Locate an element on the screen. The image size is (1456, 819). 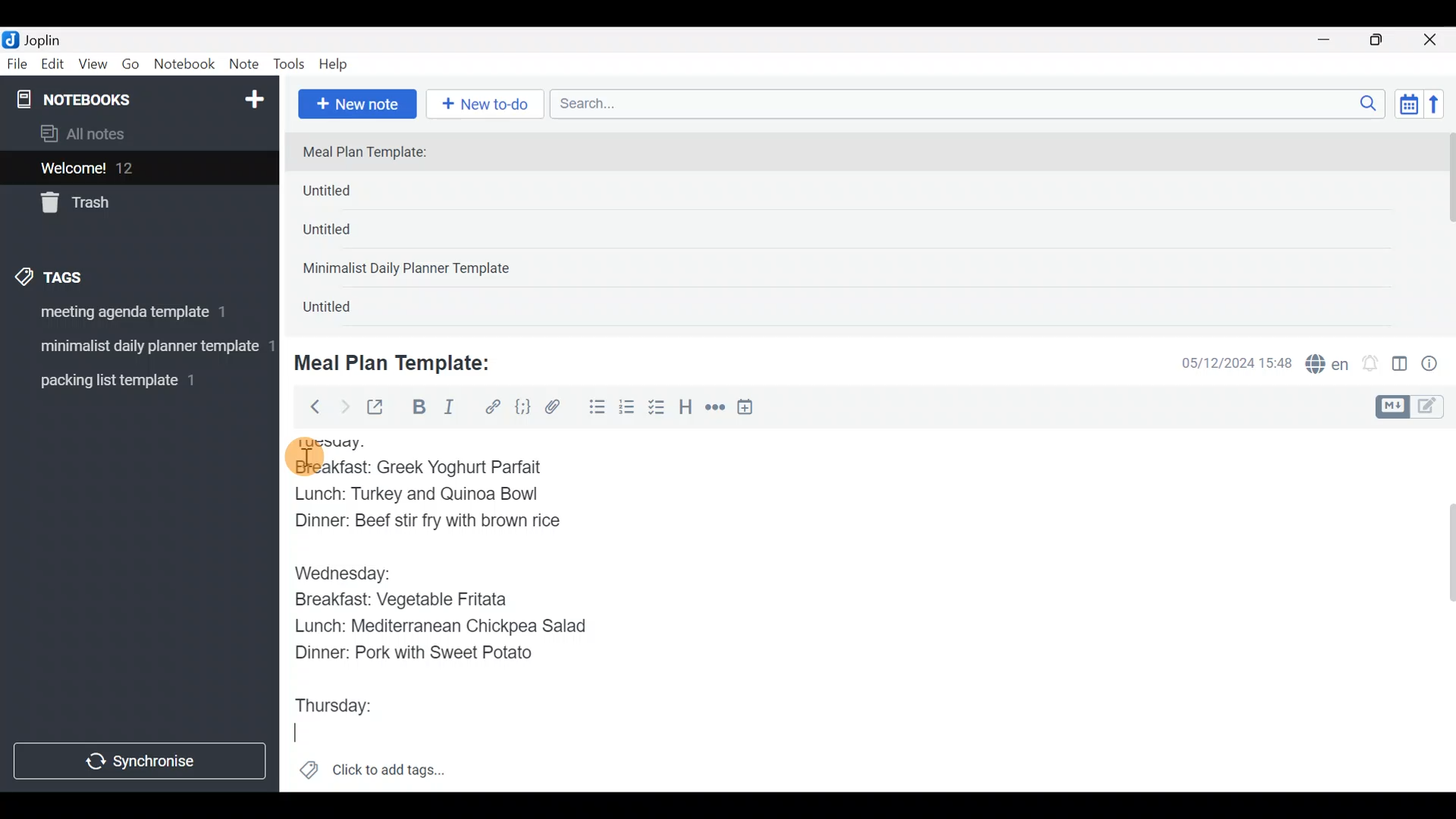
Close is located at coordinates (1432, 41).